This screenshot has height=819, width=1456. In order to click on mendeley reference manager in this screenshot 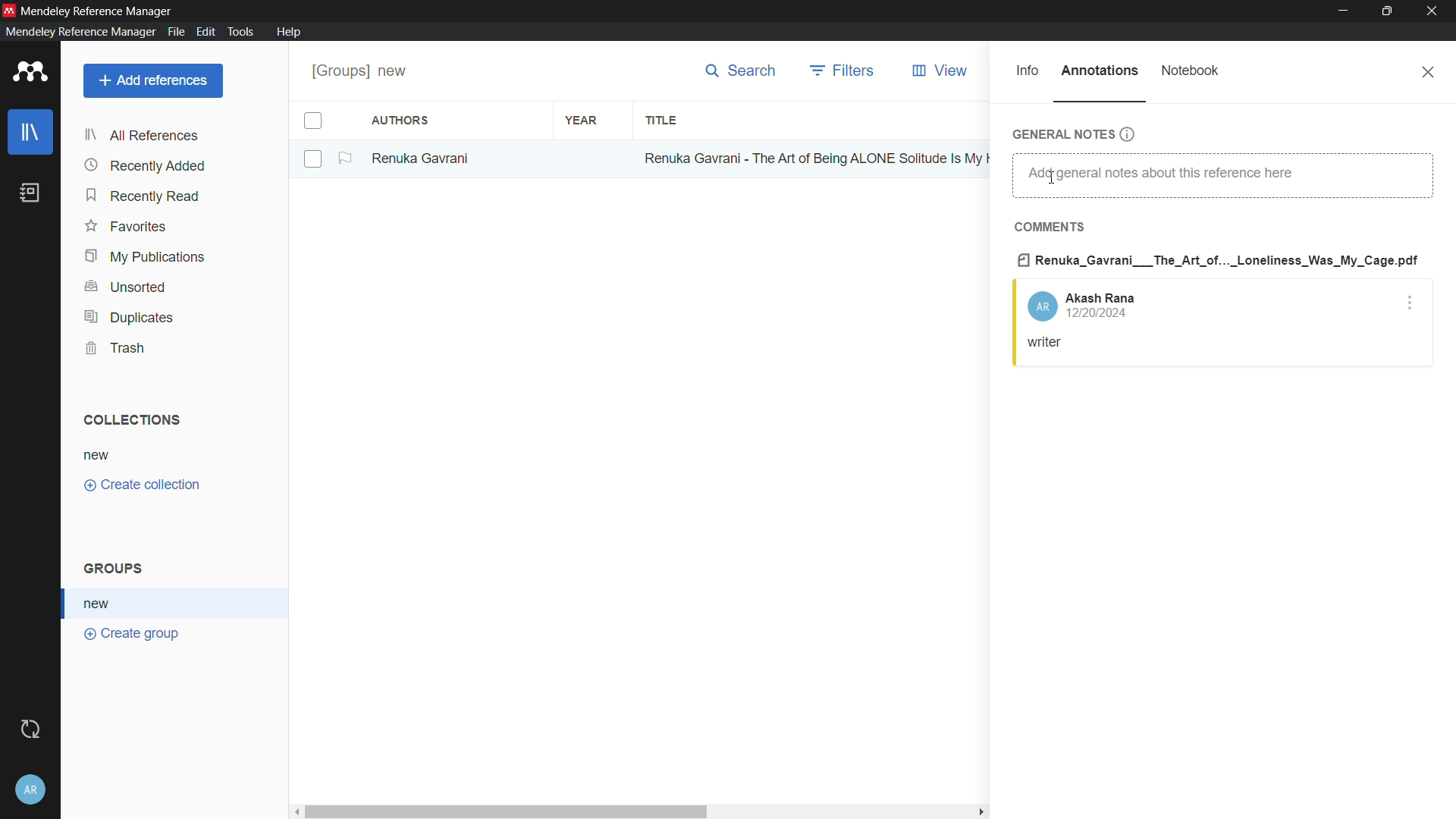, I will do `click(78, 32)`.